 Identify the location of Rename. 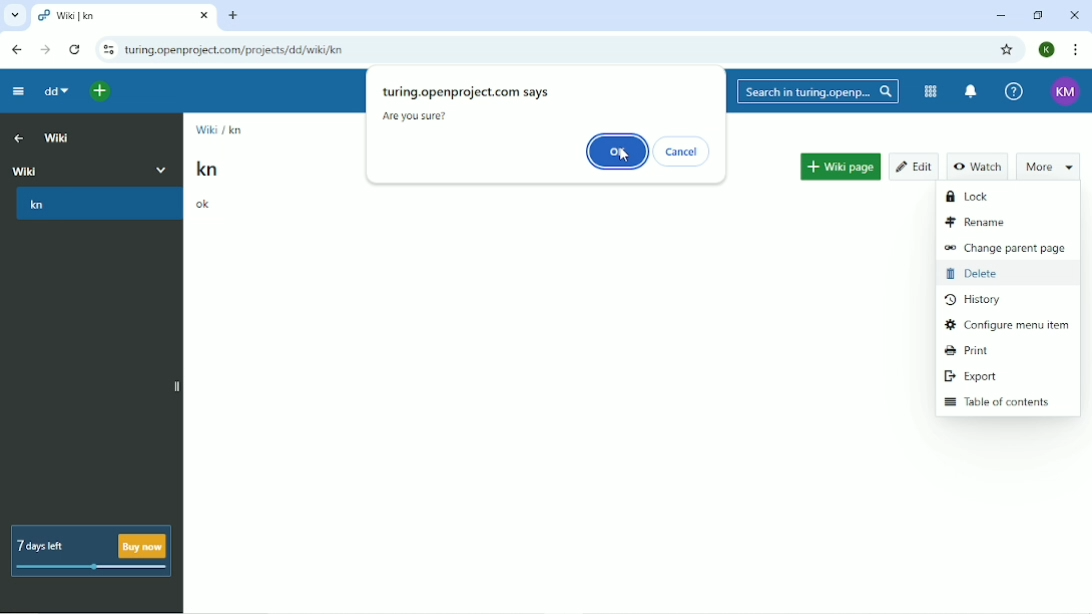
(983, 221).